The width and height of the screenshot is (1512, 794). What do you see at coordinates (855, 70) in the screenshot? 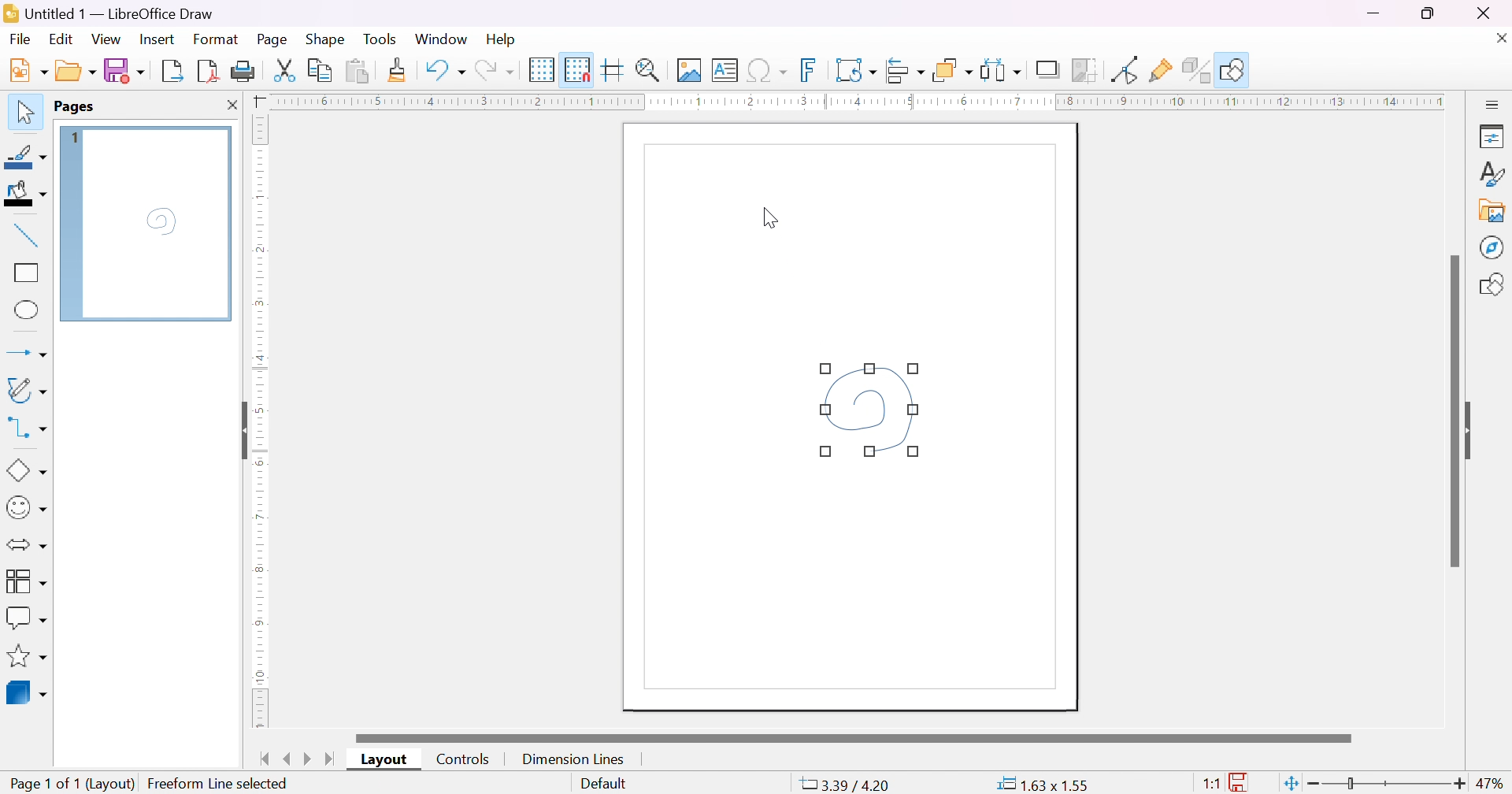
I see `transformation` at bounding box center [855, 70].